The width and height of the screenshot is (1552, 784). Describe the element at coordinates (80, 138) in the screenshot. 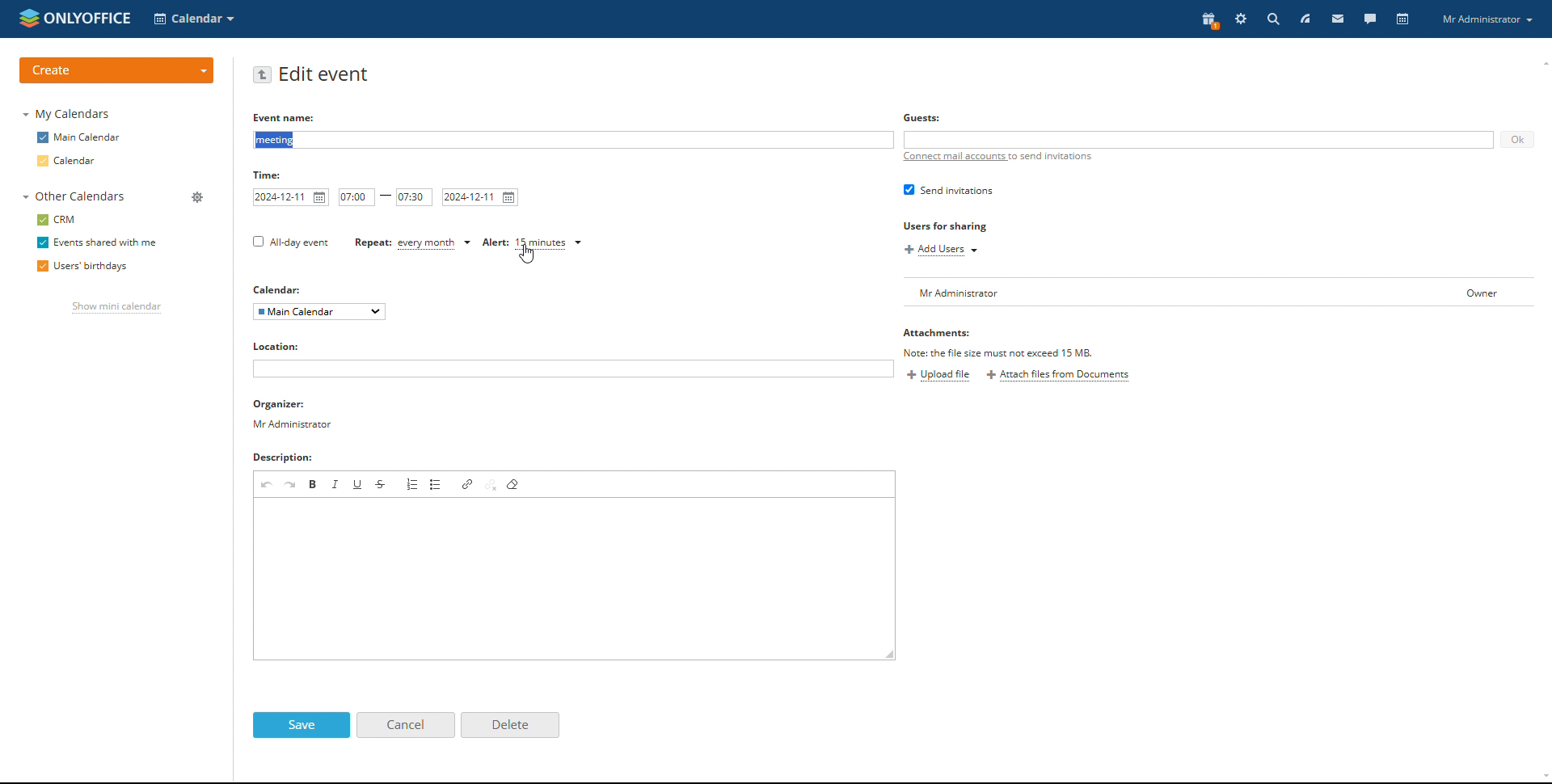

I see `main calendar` at that location.